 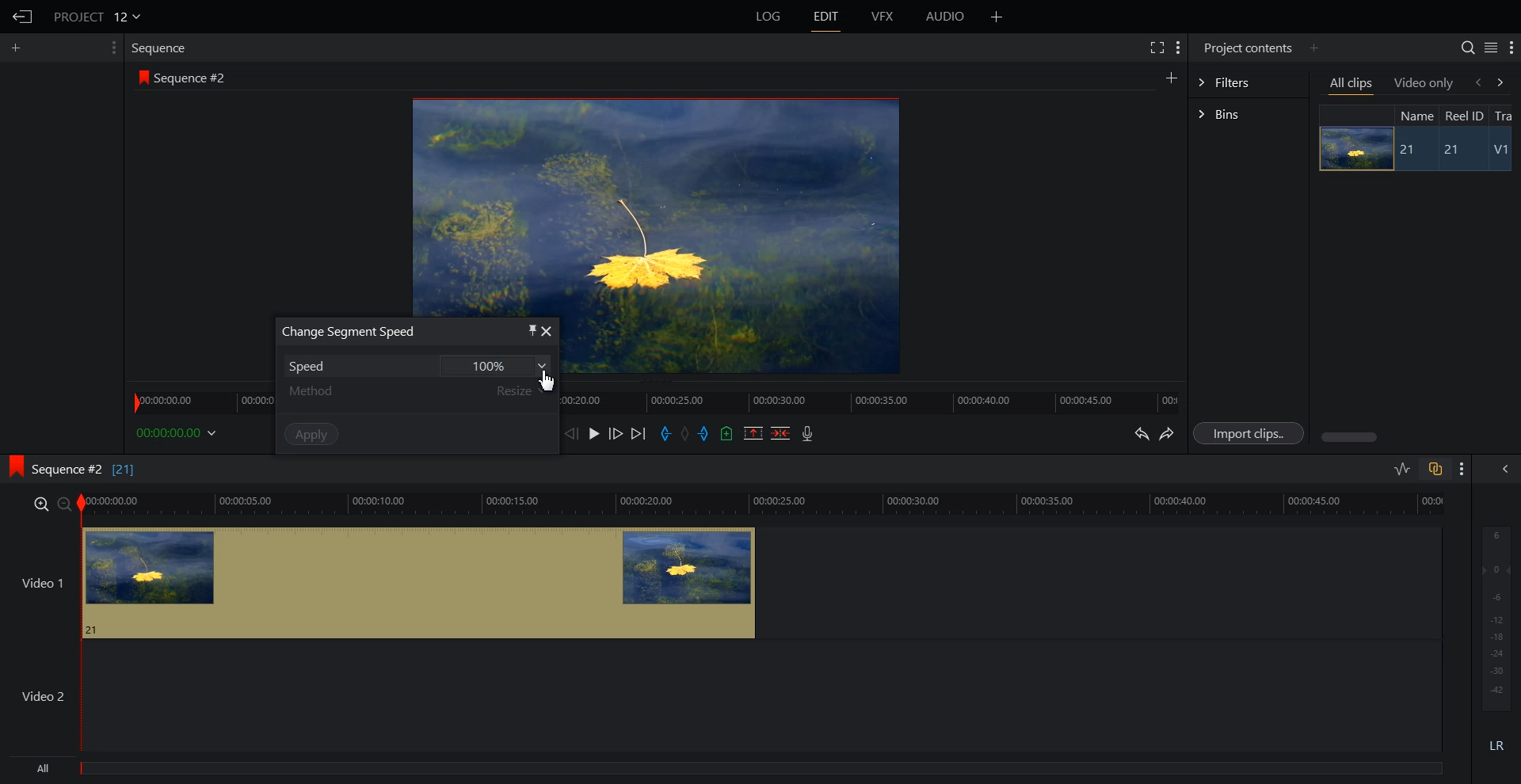 I want to click on Go Back, so click(x=23, y=17).